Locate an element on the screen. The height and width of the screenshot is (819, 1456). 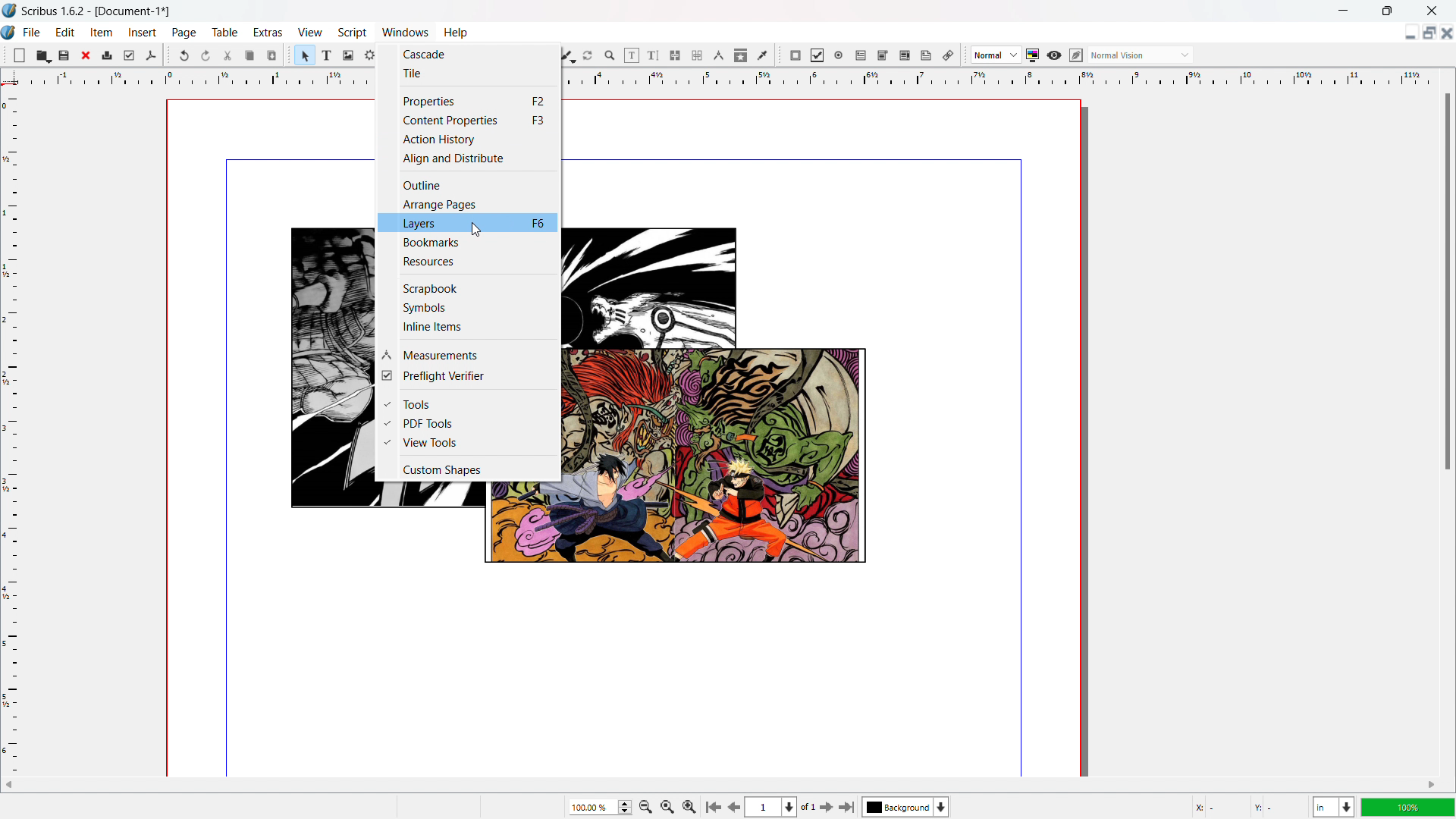
move toolbox is located at coordinates (964, 55).